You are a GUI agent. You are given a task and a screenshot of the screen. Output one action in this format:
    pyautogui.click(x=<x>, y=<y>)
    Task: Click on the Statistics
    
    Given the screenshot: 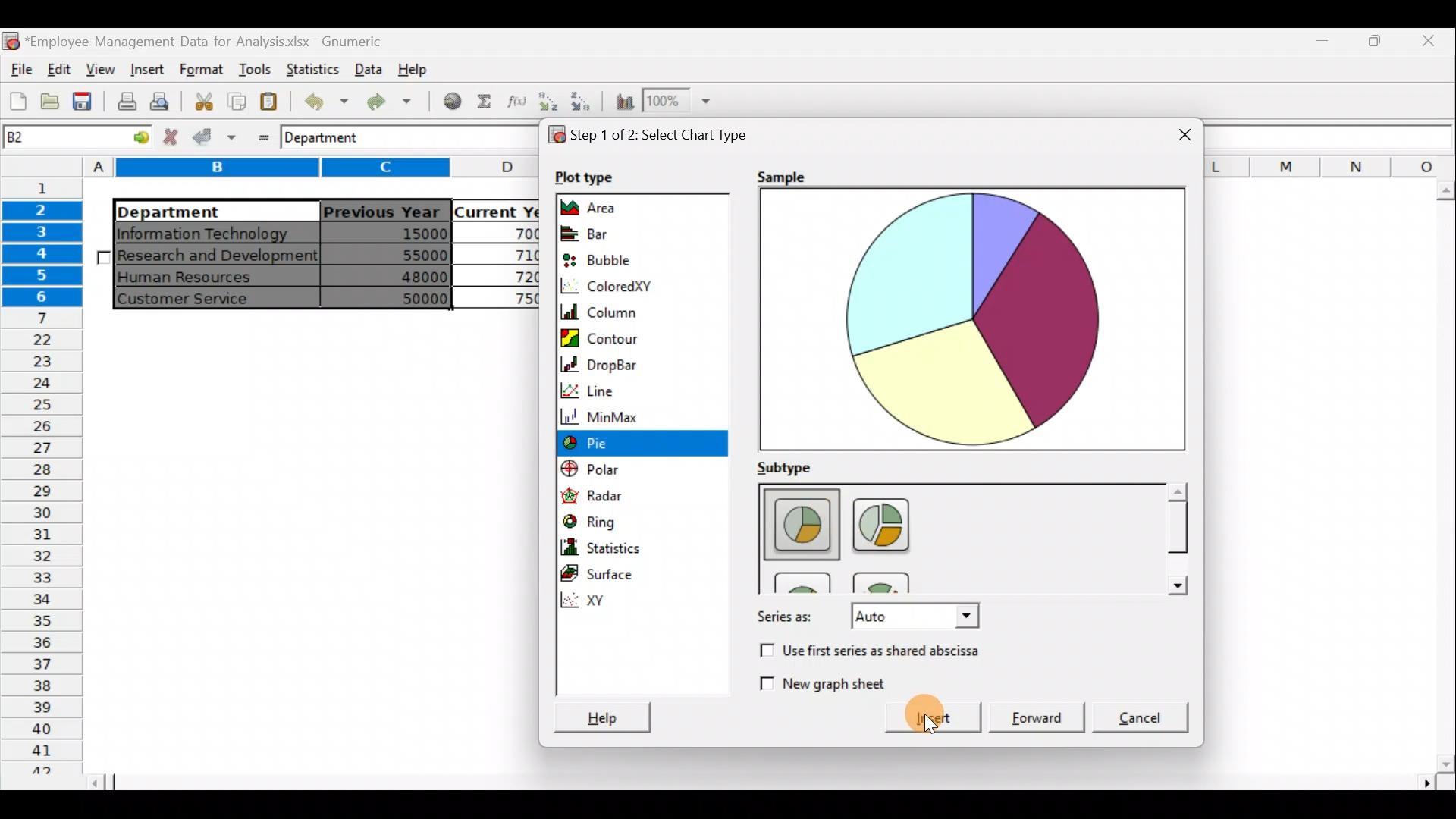 What is the action you would take?
    pyautogui.click(x=629, y=547)
    